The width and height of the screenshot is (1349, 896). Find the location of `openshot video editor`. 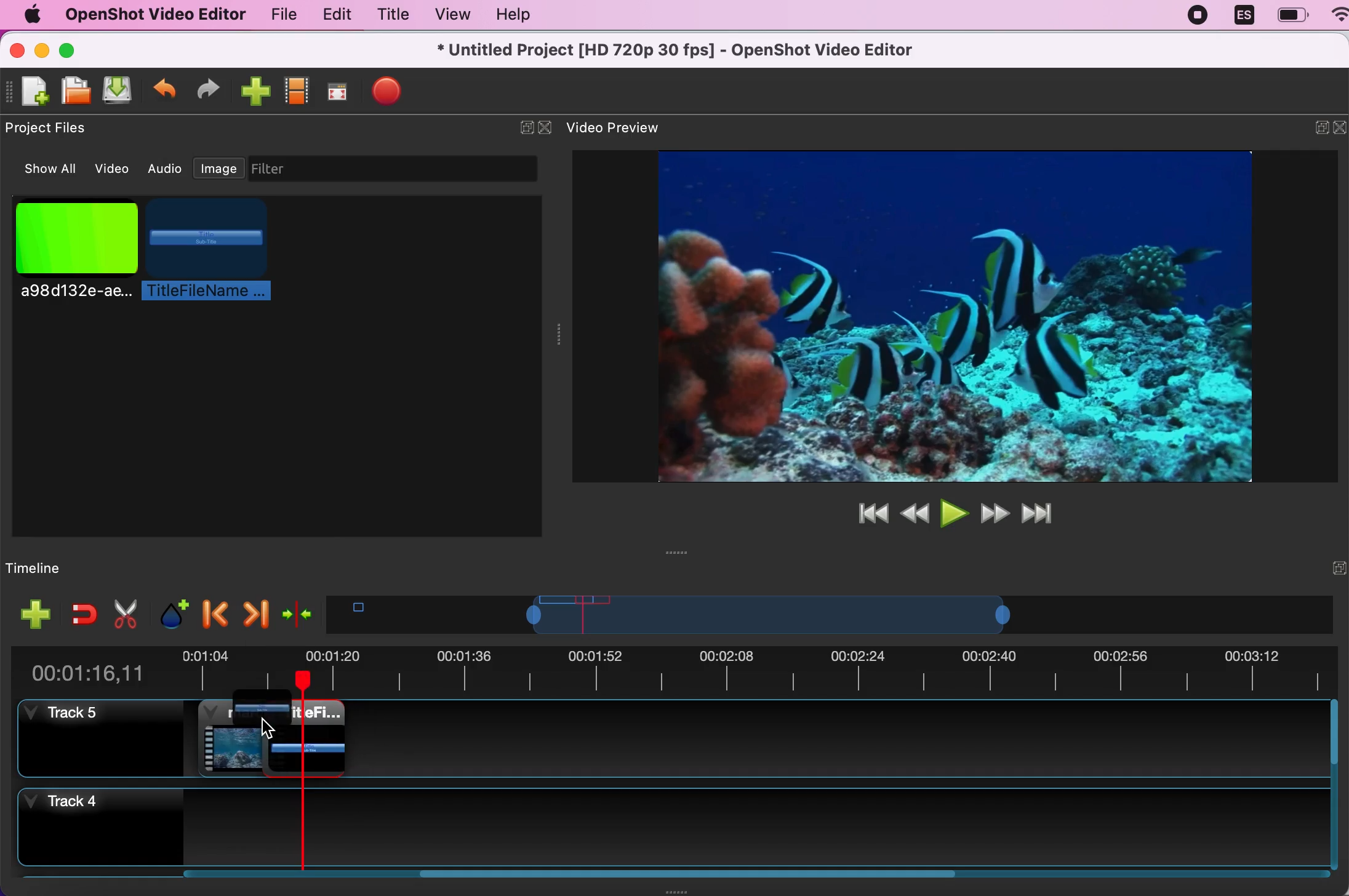

openshot video editor is located at coordinates (154, 15).